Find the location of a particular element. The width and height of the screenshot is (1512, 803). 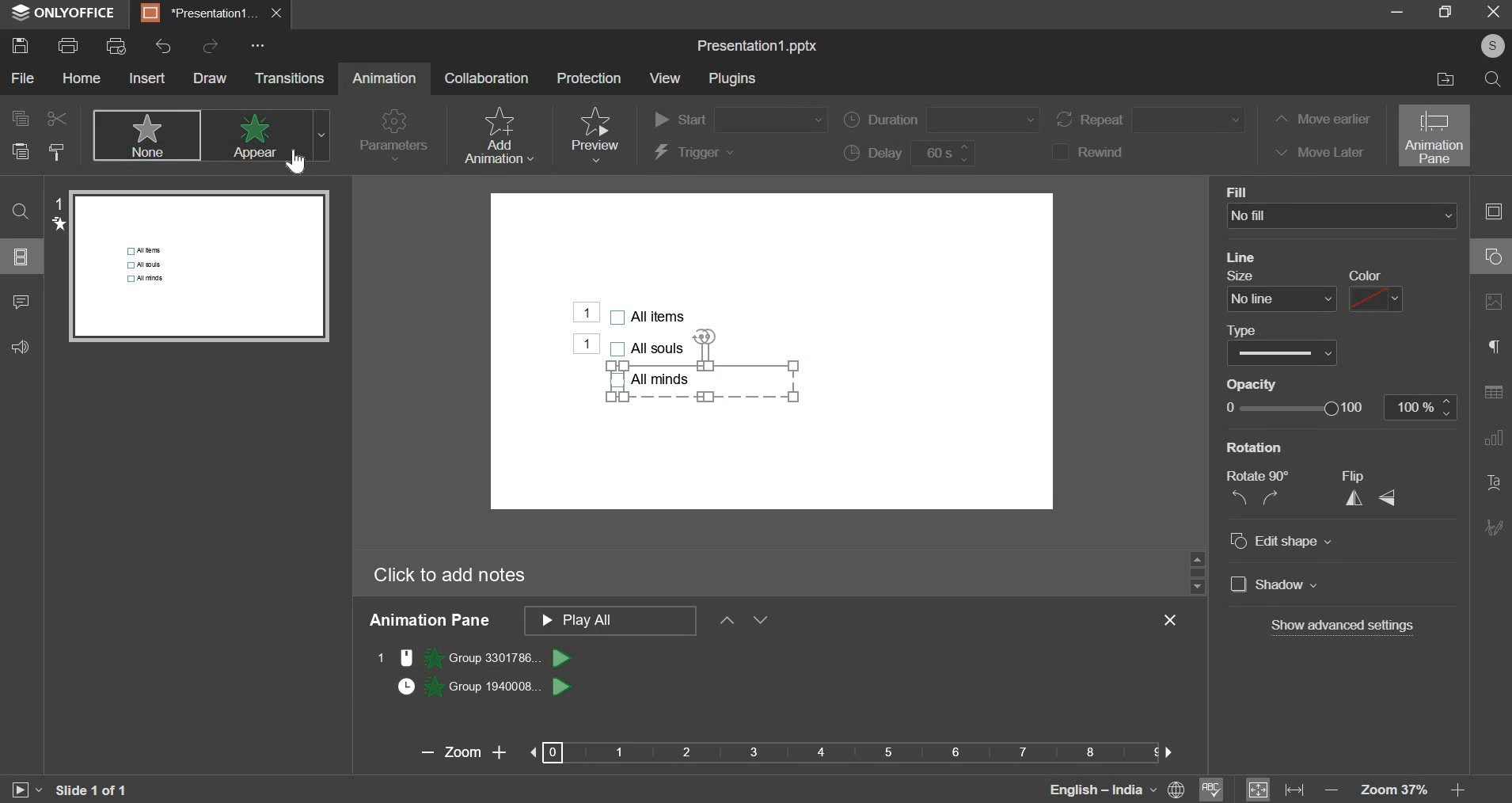

Cursor is located at coordinates (304, 158).